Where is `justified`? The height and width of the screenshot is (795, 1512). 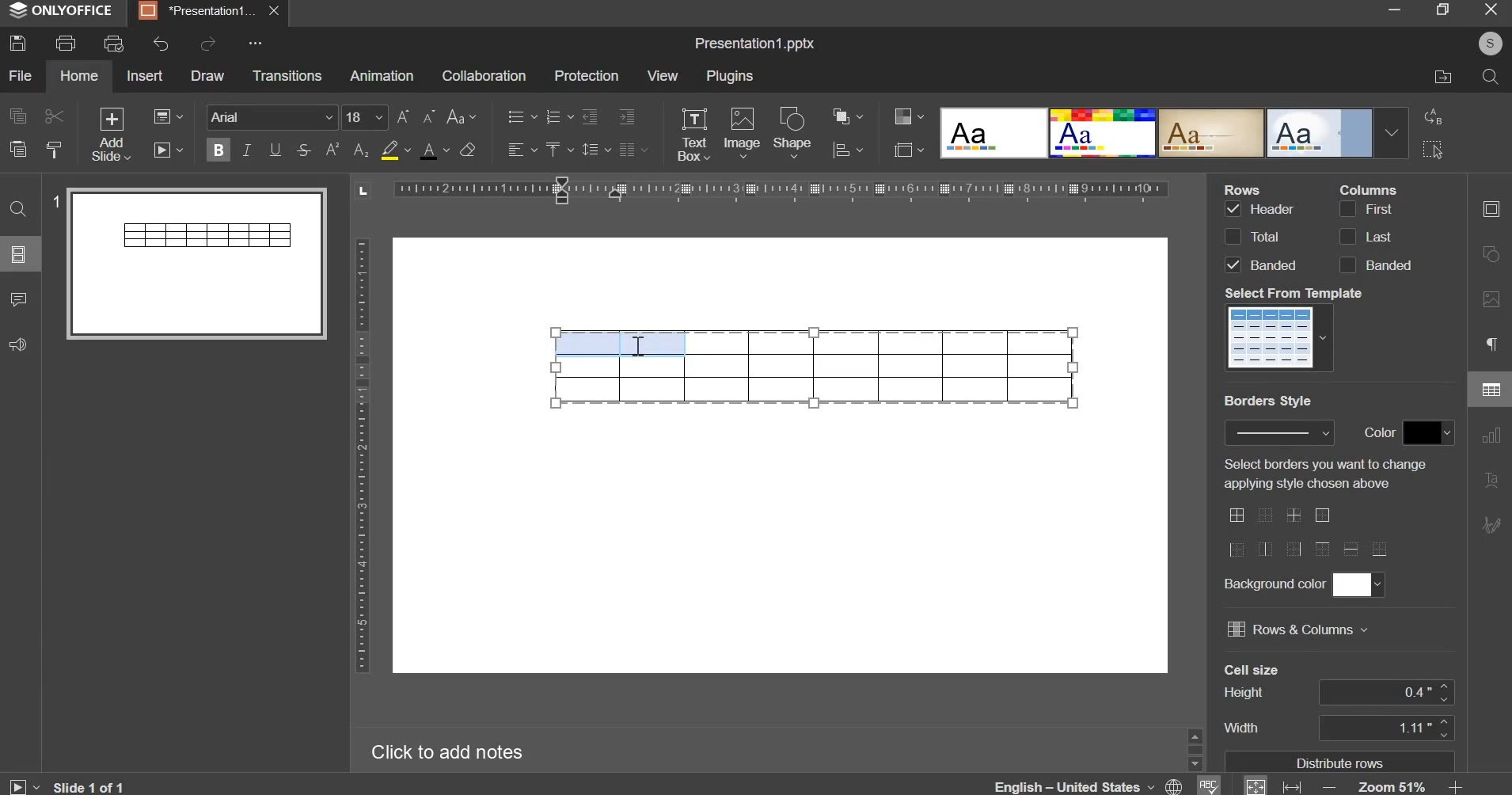 justified is located at coordinates (633, 150).